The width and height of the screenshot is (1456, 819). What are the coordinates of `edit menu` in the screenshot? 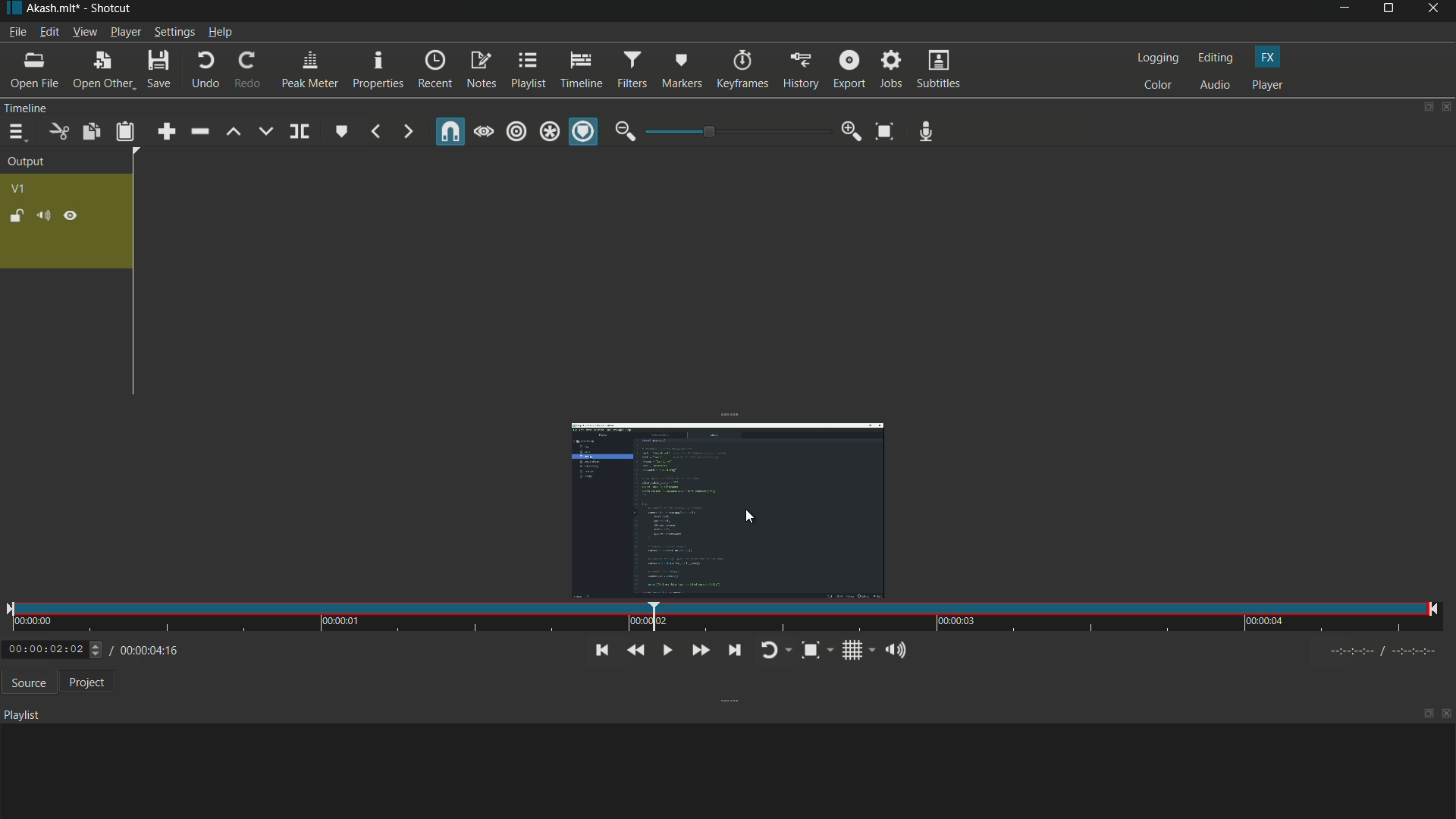 It's located at (49, 33).